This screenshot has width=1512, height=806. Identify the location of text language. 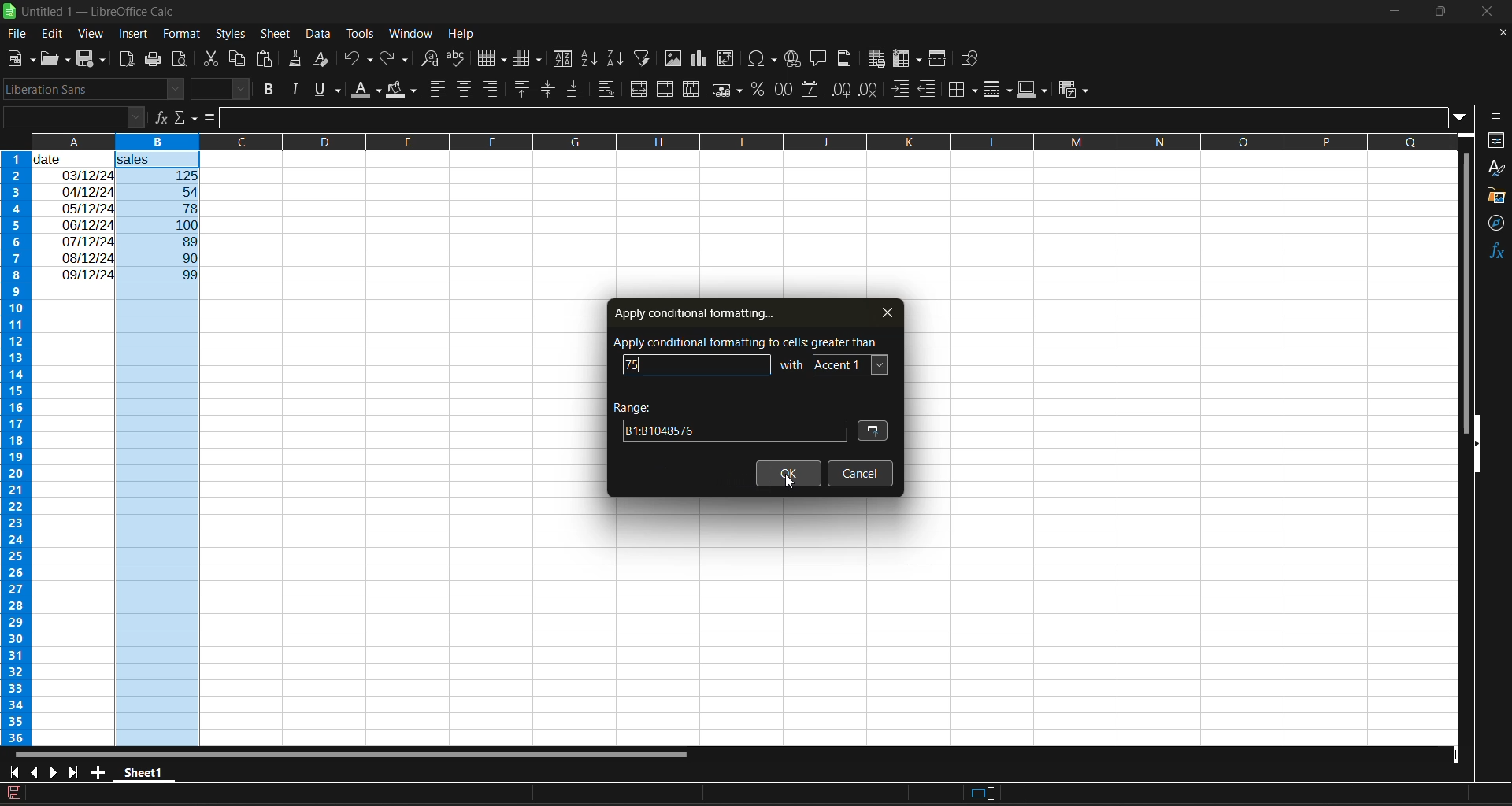
(676, 793).